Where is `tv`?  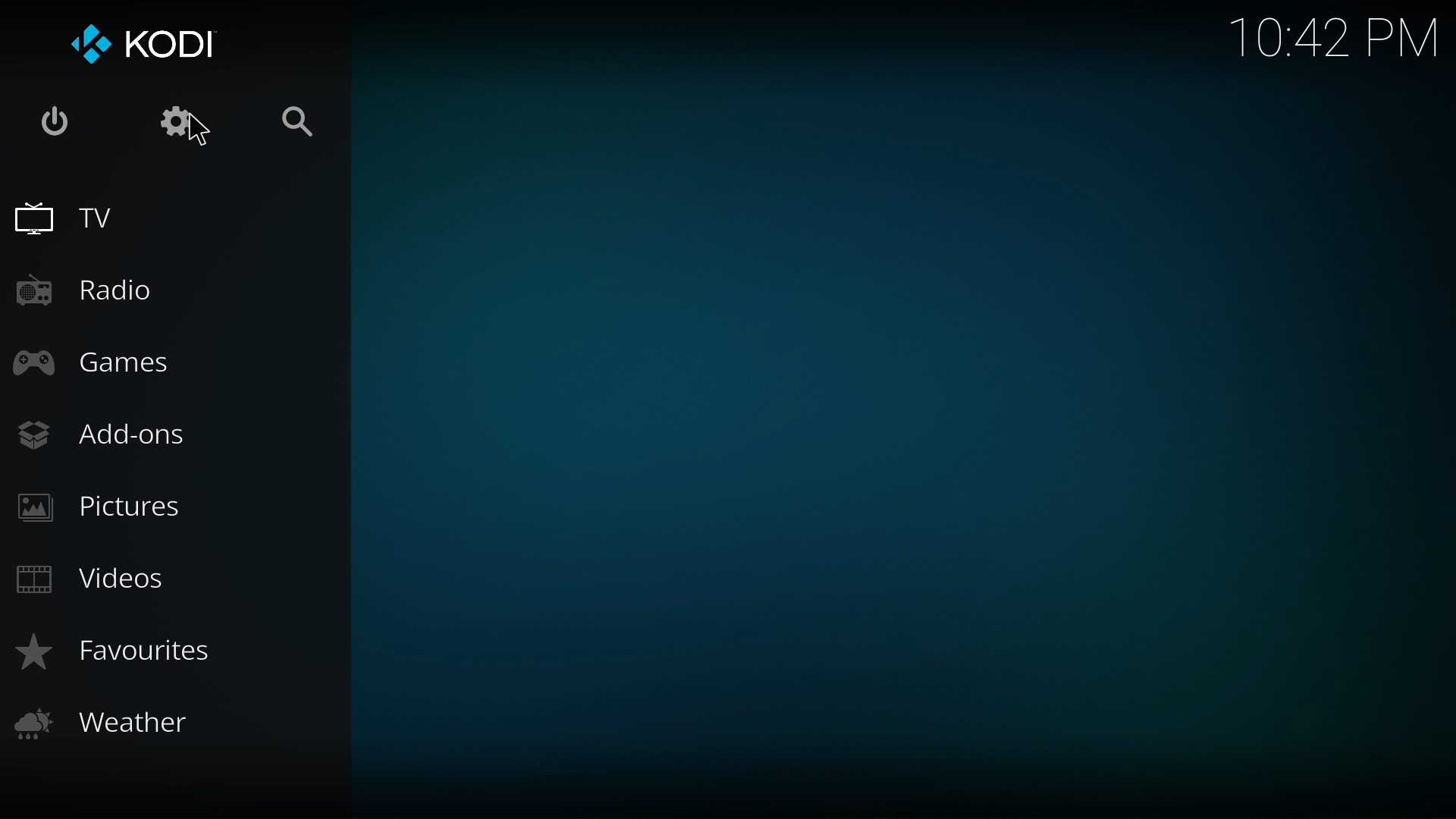 tv is located at coordinates (67, 218).